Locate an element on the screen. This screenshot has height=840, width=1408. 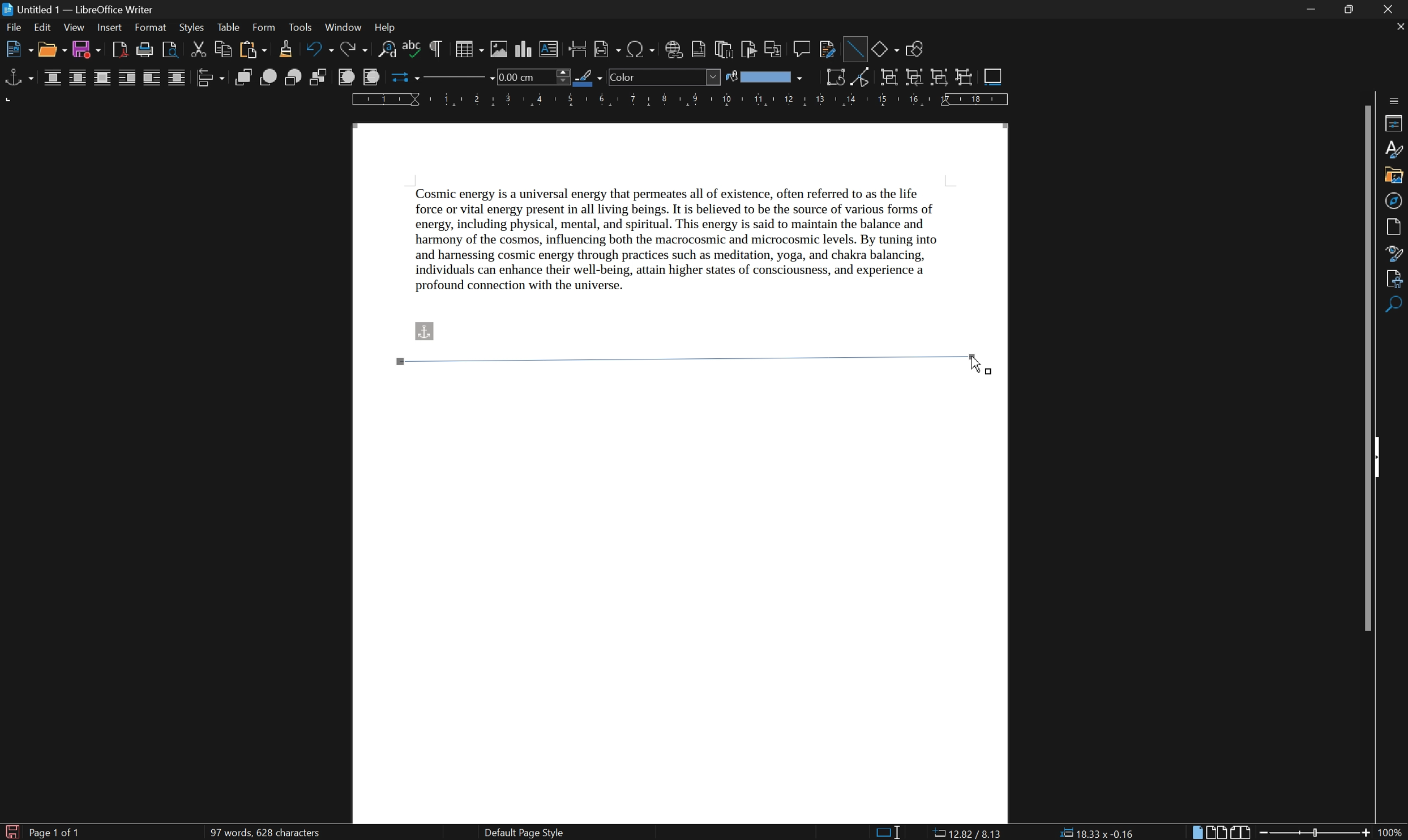
spell checking is located at coordinates (412, 50).